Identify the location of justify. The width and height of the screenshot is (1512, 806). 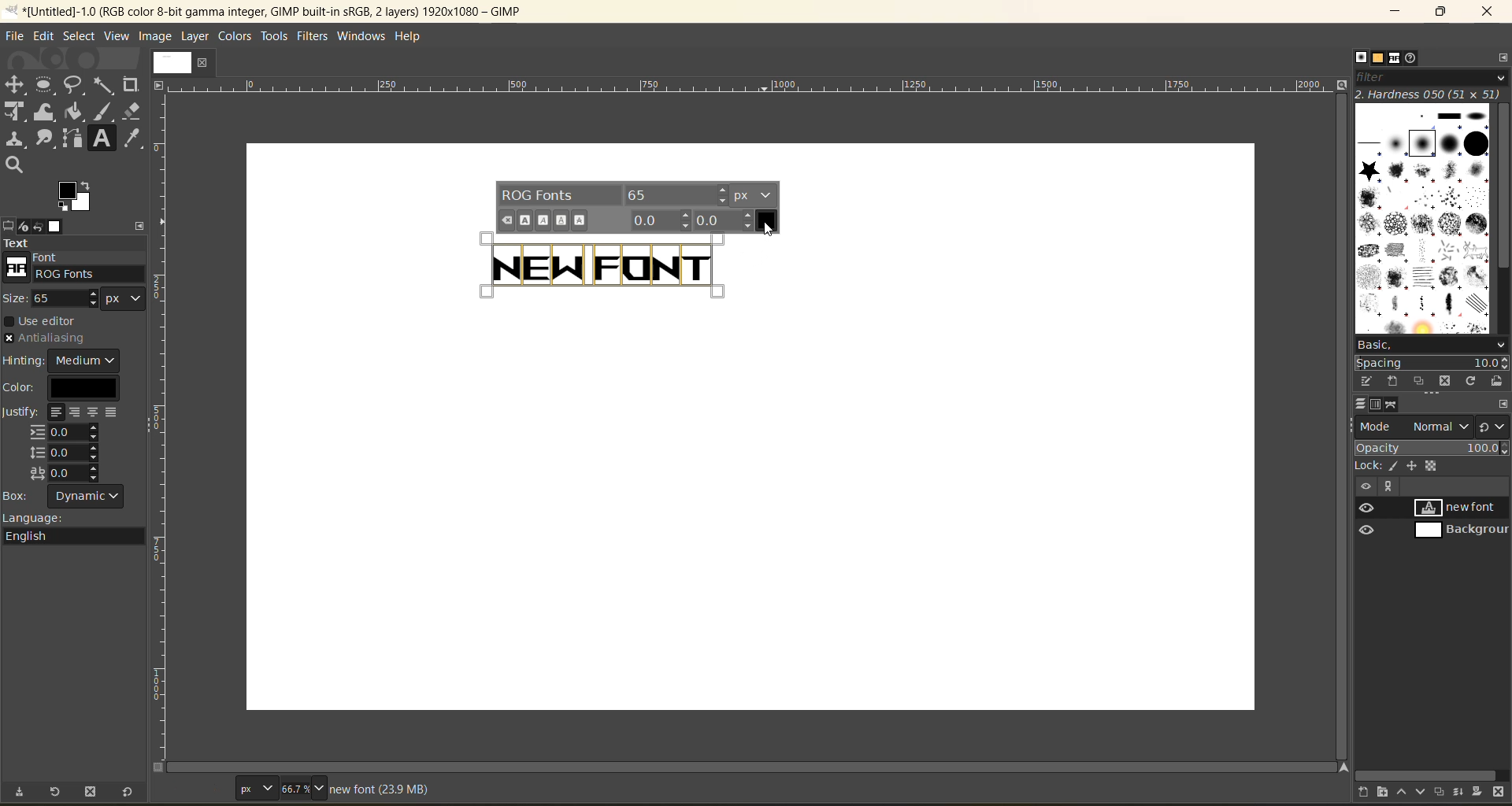
(65, 445).